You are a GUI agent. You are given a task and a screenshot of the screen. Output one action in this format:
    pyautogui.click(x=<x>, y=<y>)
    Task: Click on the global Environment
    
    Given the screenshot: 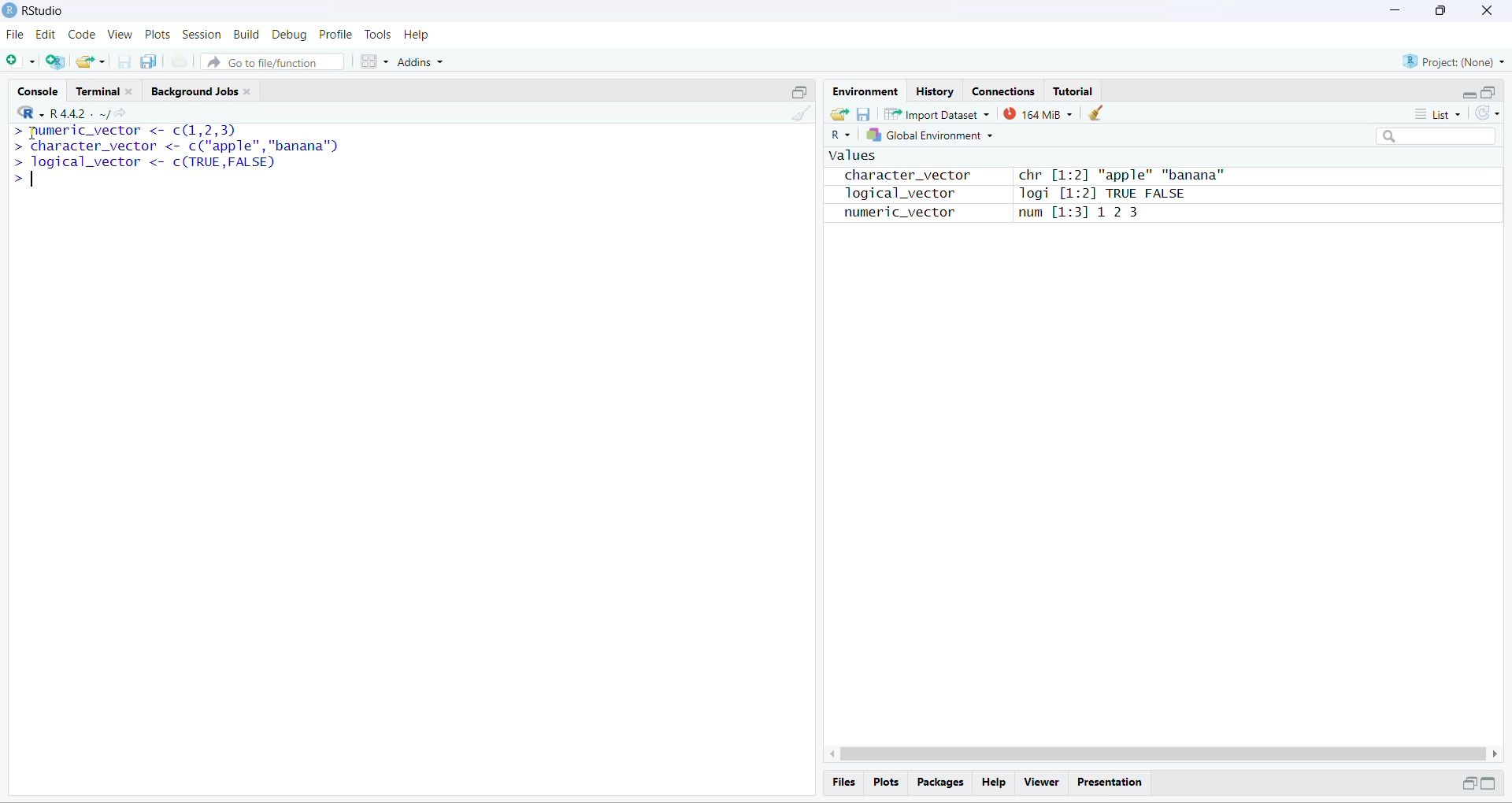 What is the action you would take?
    pyautogui.click(x=929, y=135)
    